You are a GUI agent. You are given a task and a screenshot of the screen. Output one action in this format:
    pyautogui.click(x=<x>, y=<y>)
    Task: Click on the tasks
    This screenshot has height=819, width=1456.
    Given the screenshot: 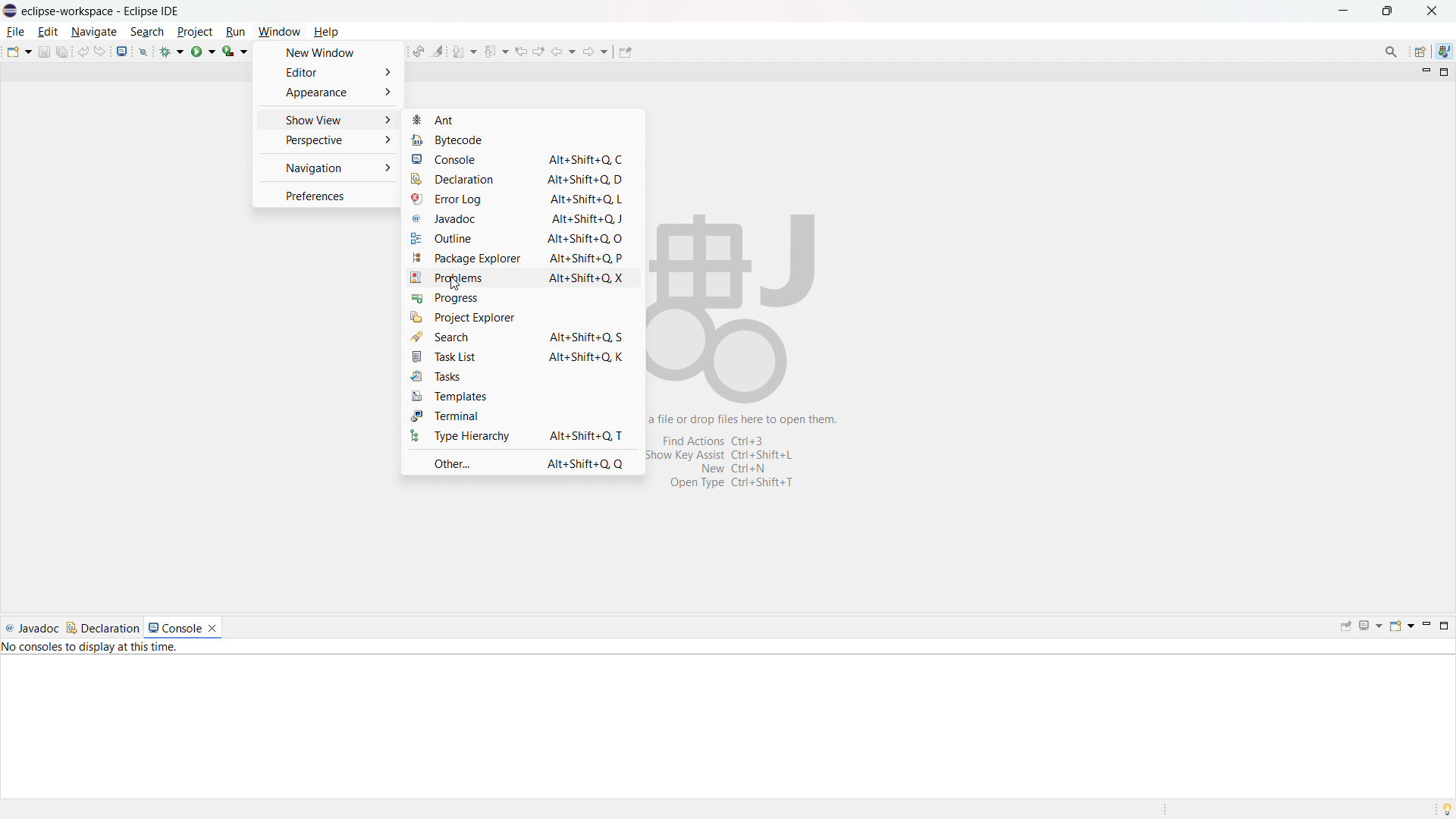 What is the action you would take?
    pyautogui.click(x=522, y=376)
    